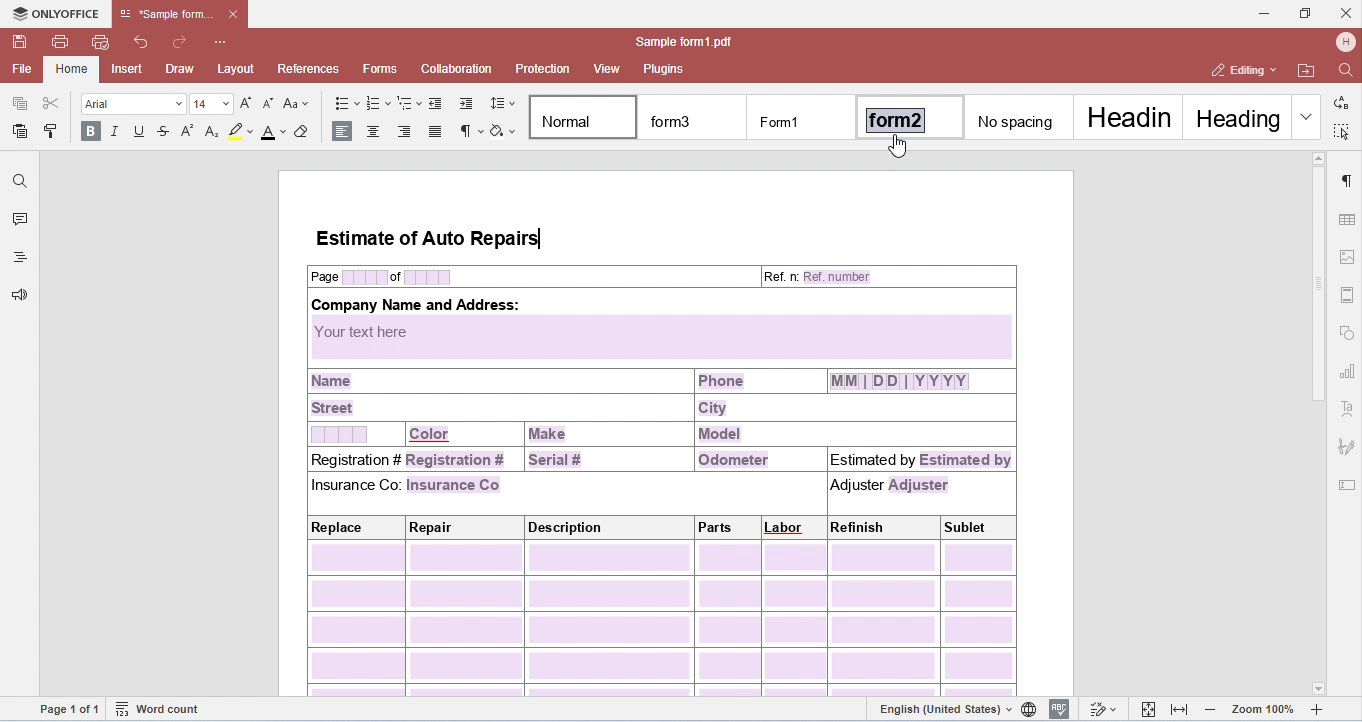  Describe the element at coordinates (128, 69) in the screenshot. I see `insert` at that location.